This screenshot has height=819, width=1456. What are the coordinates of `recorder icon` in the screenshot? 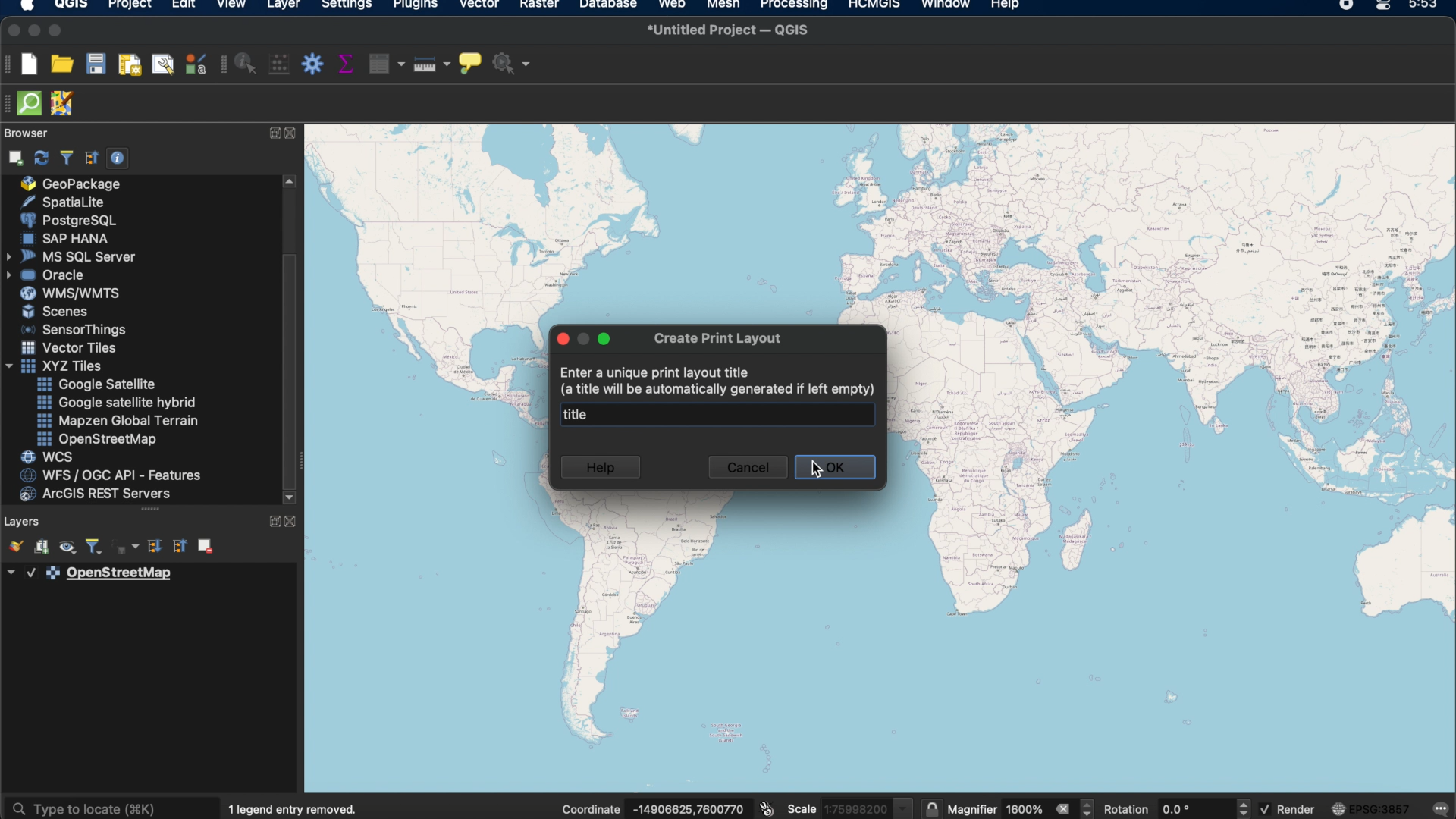 It's located at (1341, 7).